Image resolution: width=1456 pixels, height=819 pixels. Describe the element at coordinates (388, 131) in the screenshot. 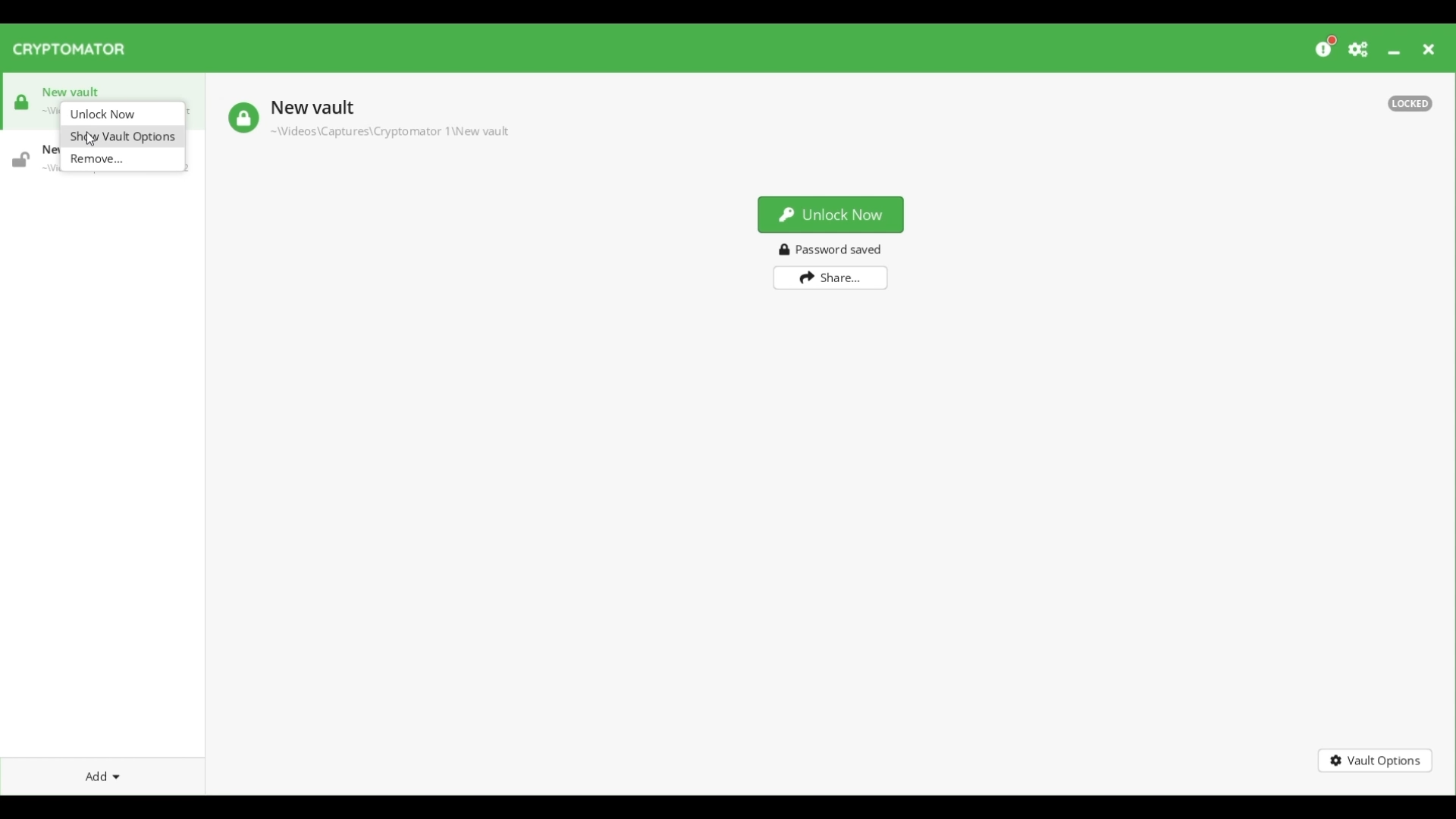

I see `Location of selected vault` at that location.